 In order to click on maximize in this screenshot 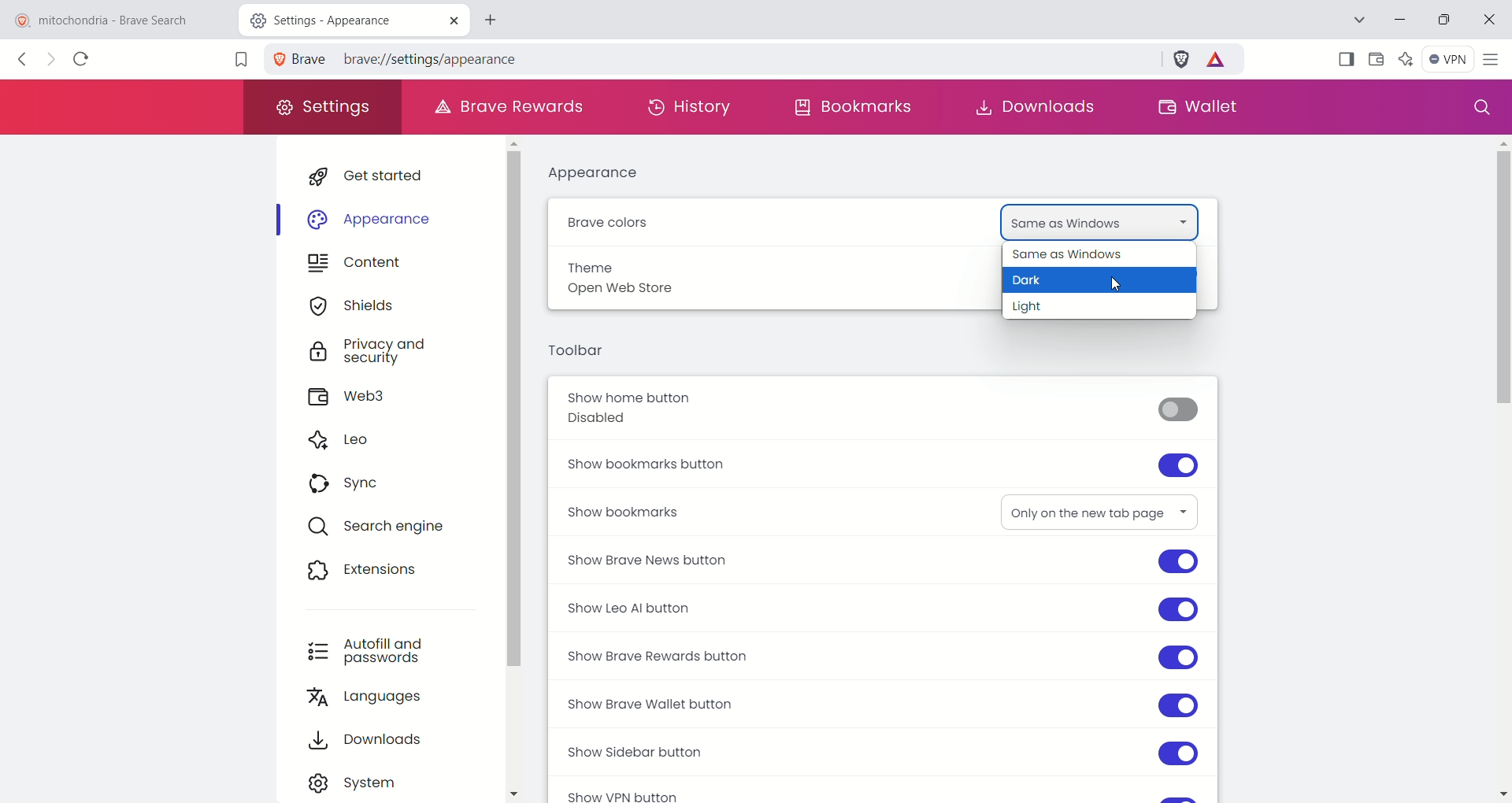, I will do `click(1447, 20)`.